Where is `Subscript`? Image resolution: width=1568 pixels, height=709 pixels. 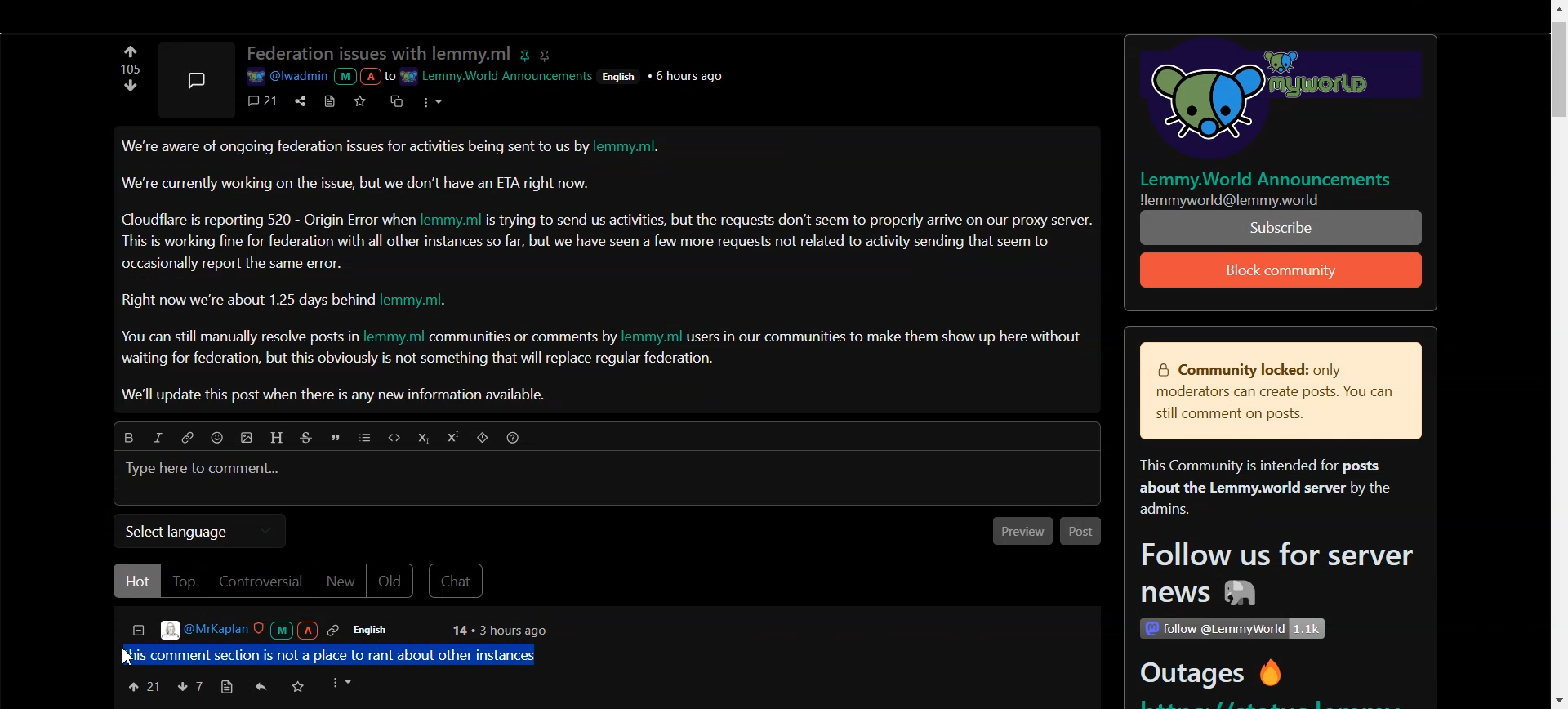
Subscript is located at coordinates (422, 439).